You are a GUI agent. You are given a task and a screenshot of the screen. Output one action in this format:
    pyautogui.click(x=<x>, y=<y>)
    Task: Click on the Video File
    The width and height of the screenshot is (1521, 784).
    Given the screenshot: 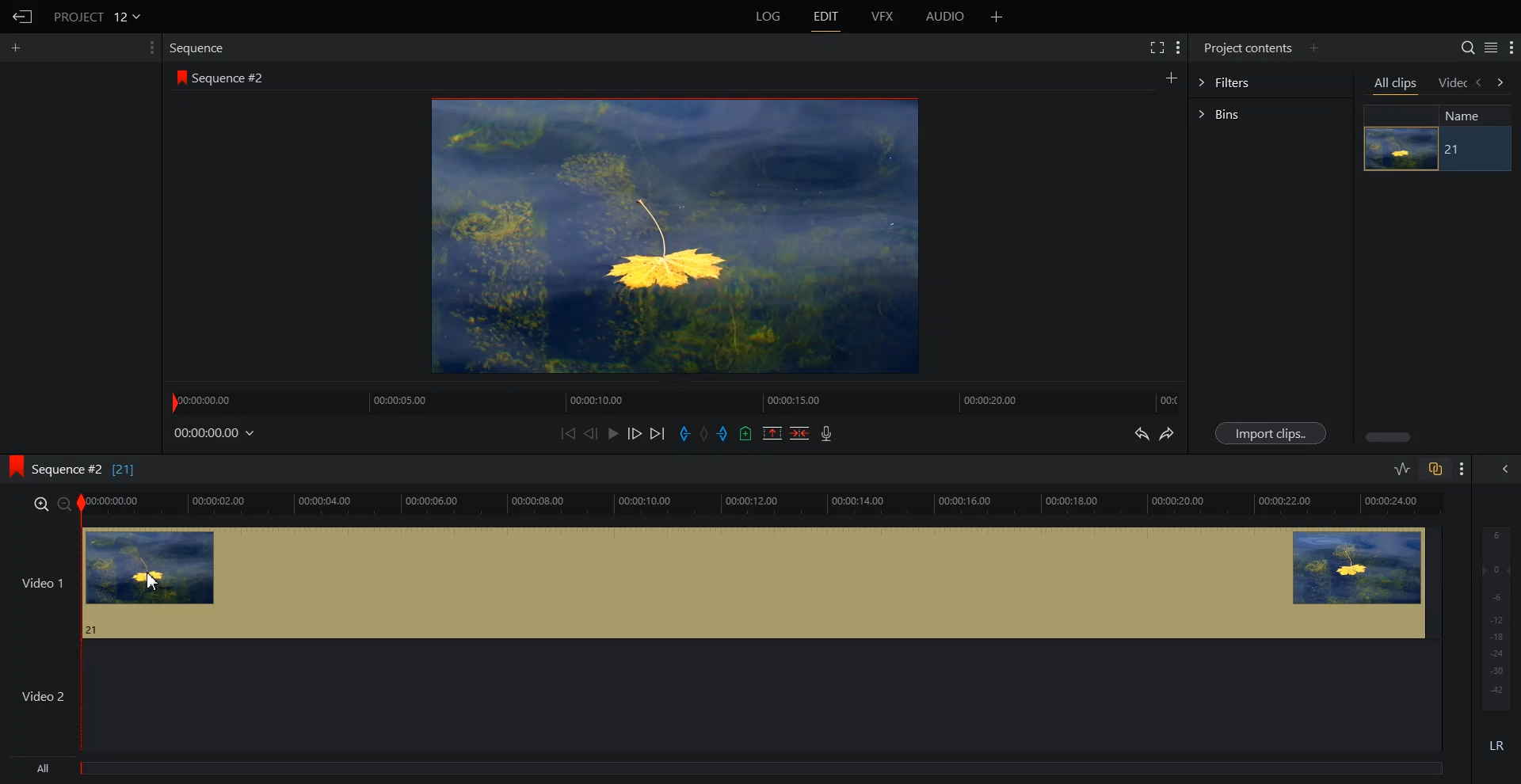 What is the action you would take?
    pyautogui.click(x=1399, y=149)
    